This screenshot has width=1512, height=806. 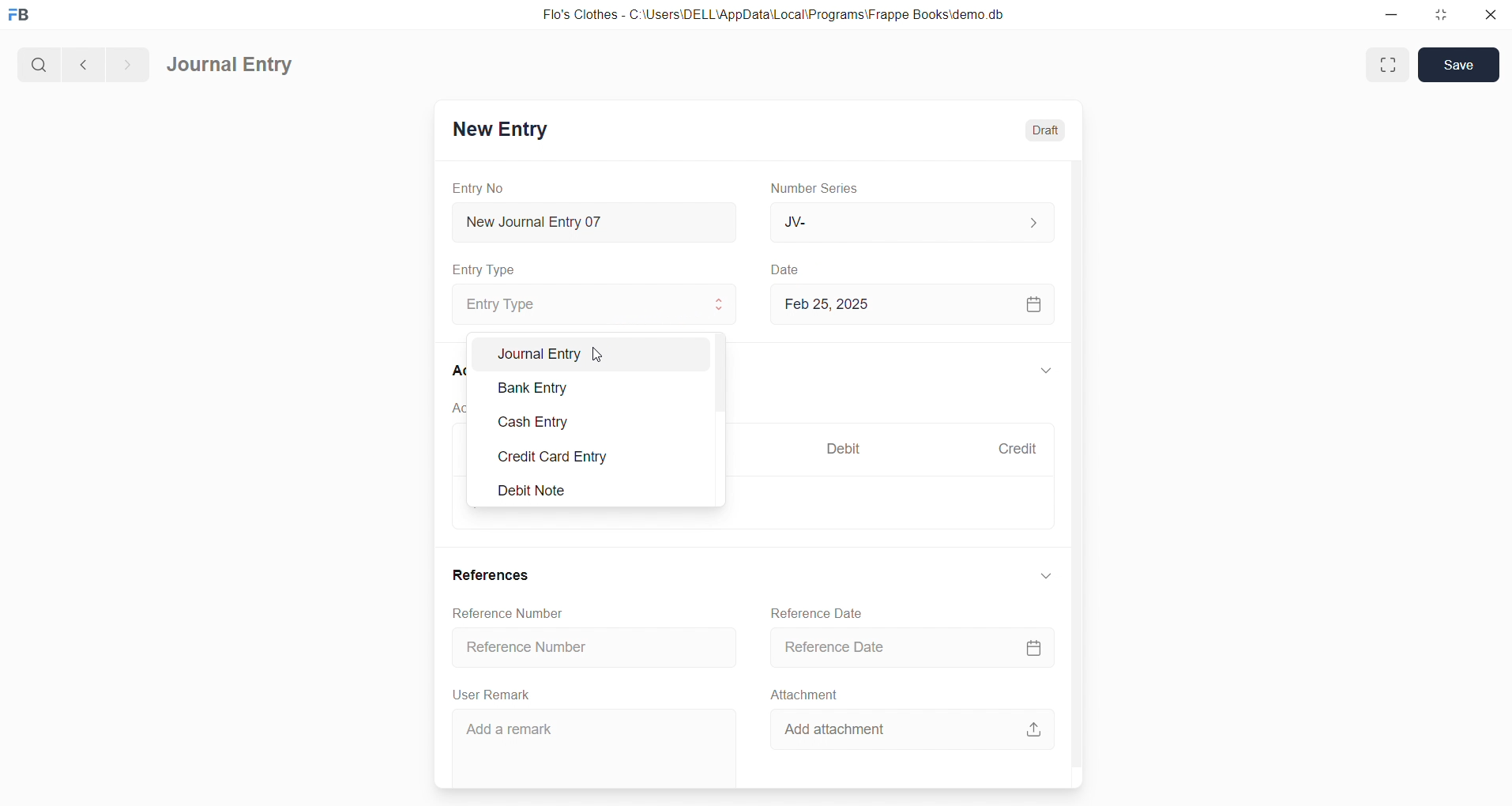 I want to click on vertical scroll bar, so click(x=1074, y=470).